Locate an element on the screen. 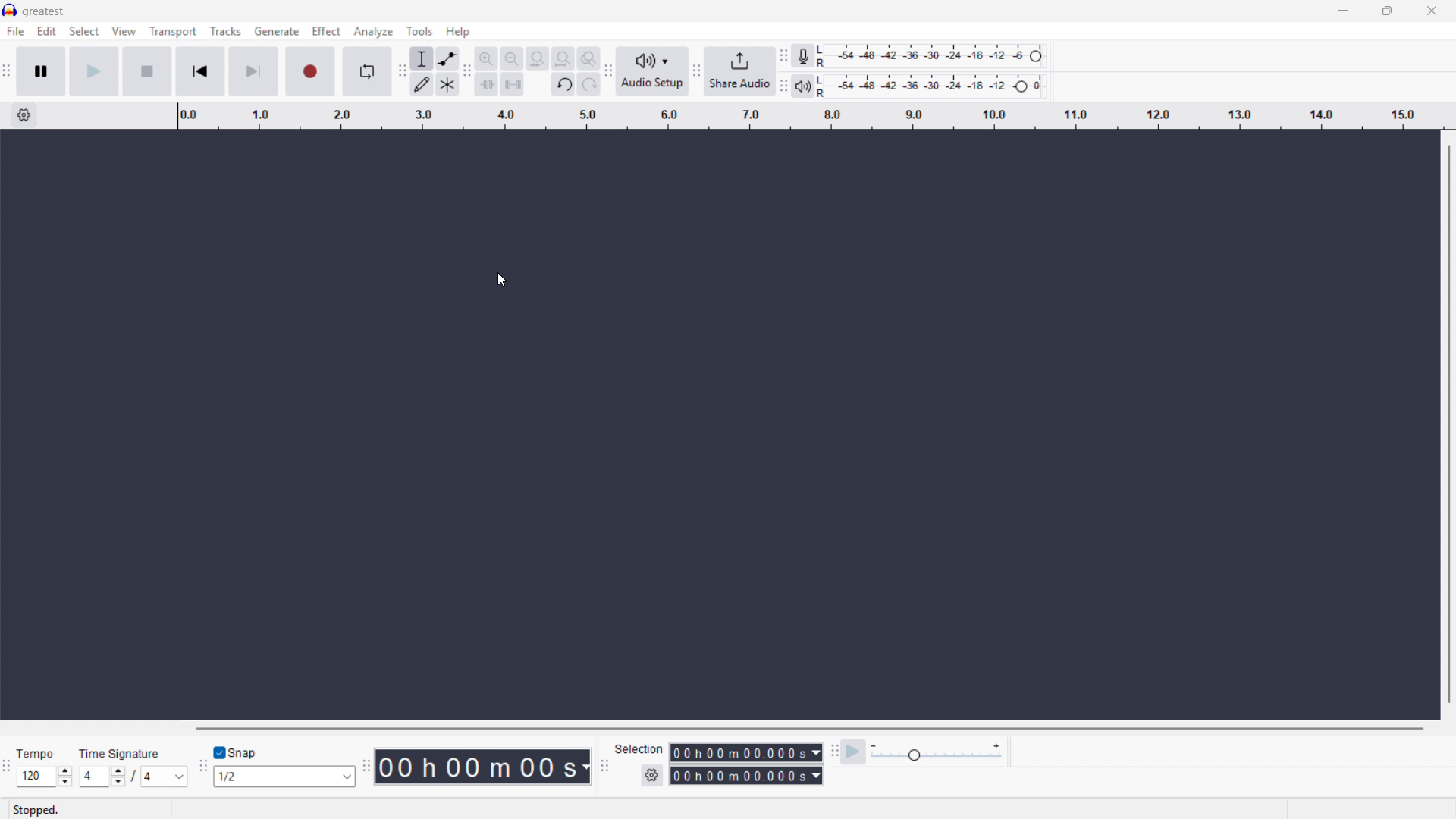 The width and height of the screenshot is (1456, 819). Edit  is located at coordinates (47, 31).